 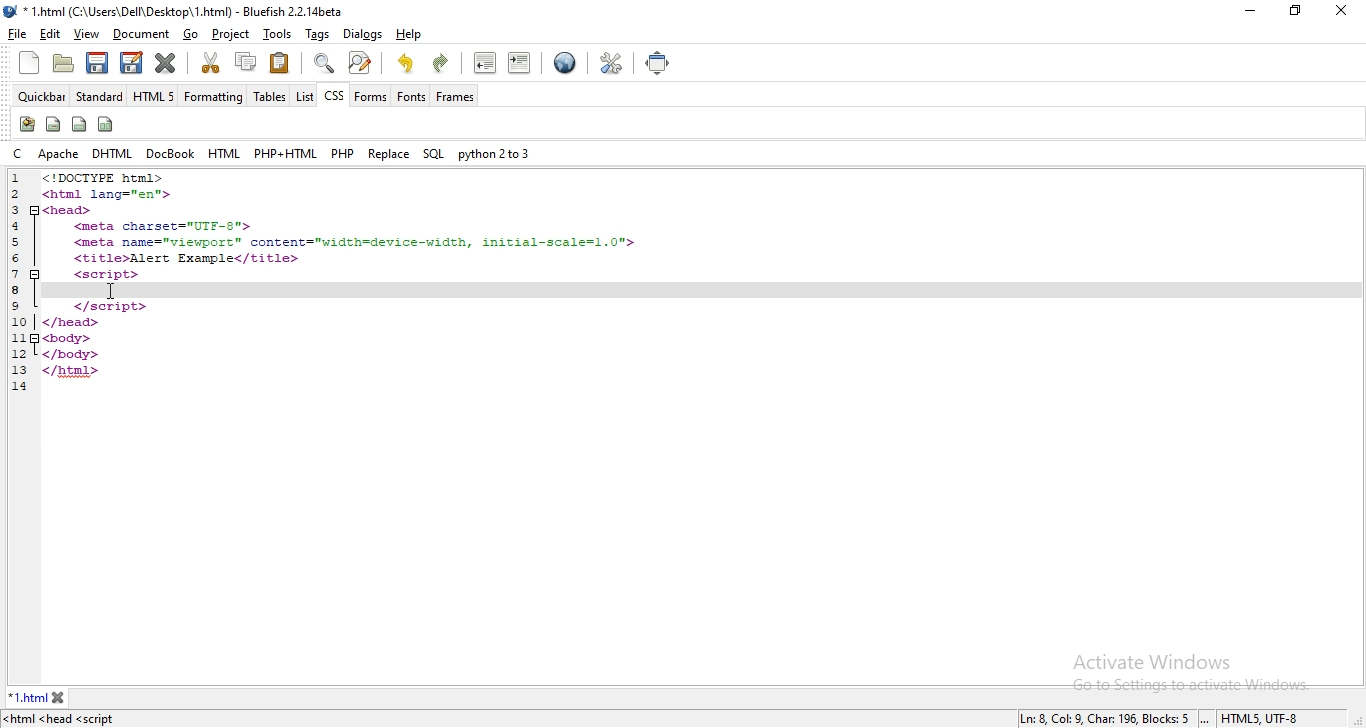 I want to click on Activate Windows, so click(x=1151, y=661).